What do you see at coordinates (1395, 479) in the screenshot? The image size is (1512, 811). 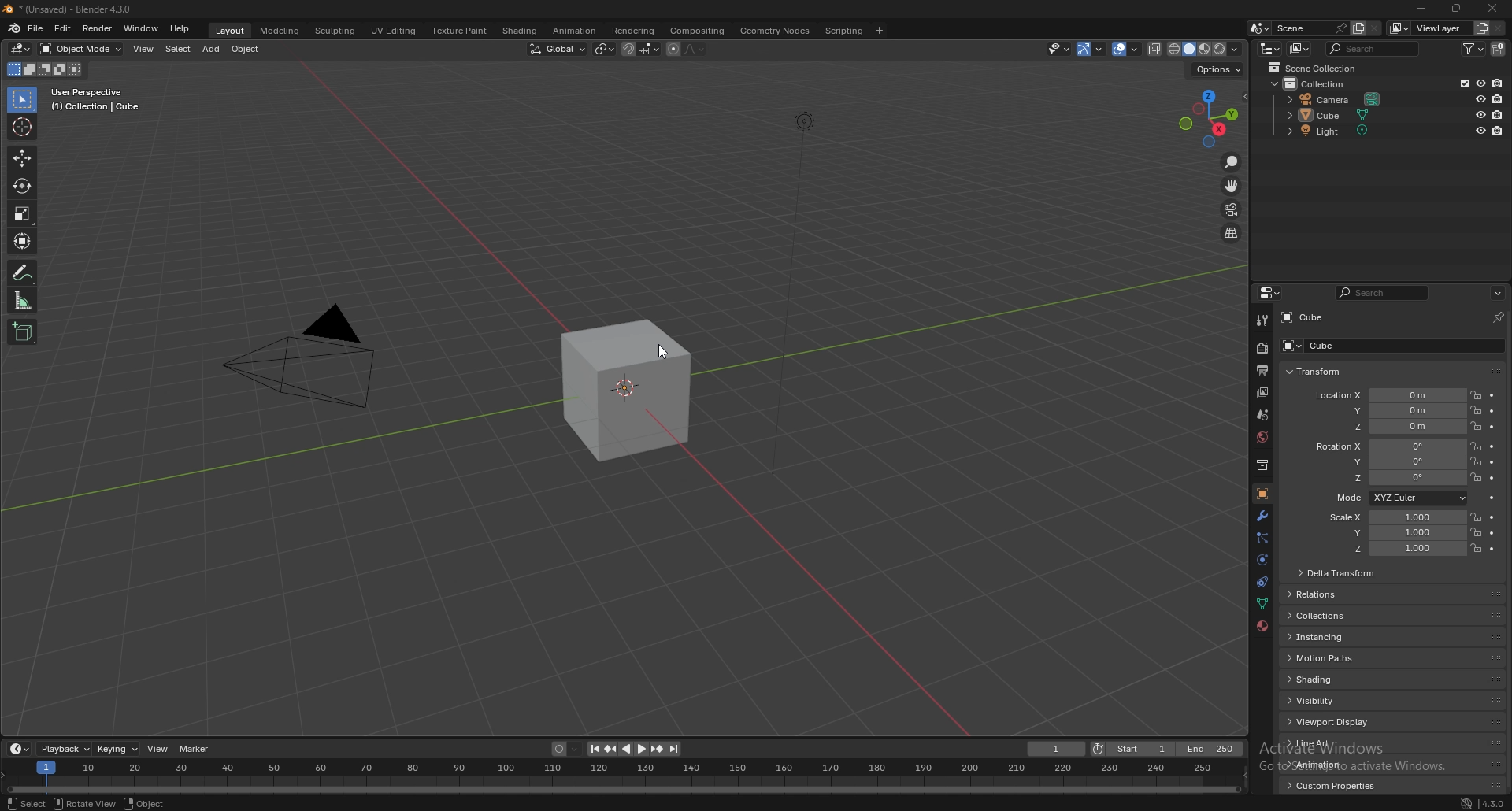 I see `rotation z` at bounding box center [1395, 479].